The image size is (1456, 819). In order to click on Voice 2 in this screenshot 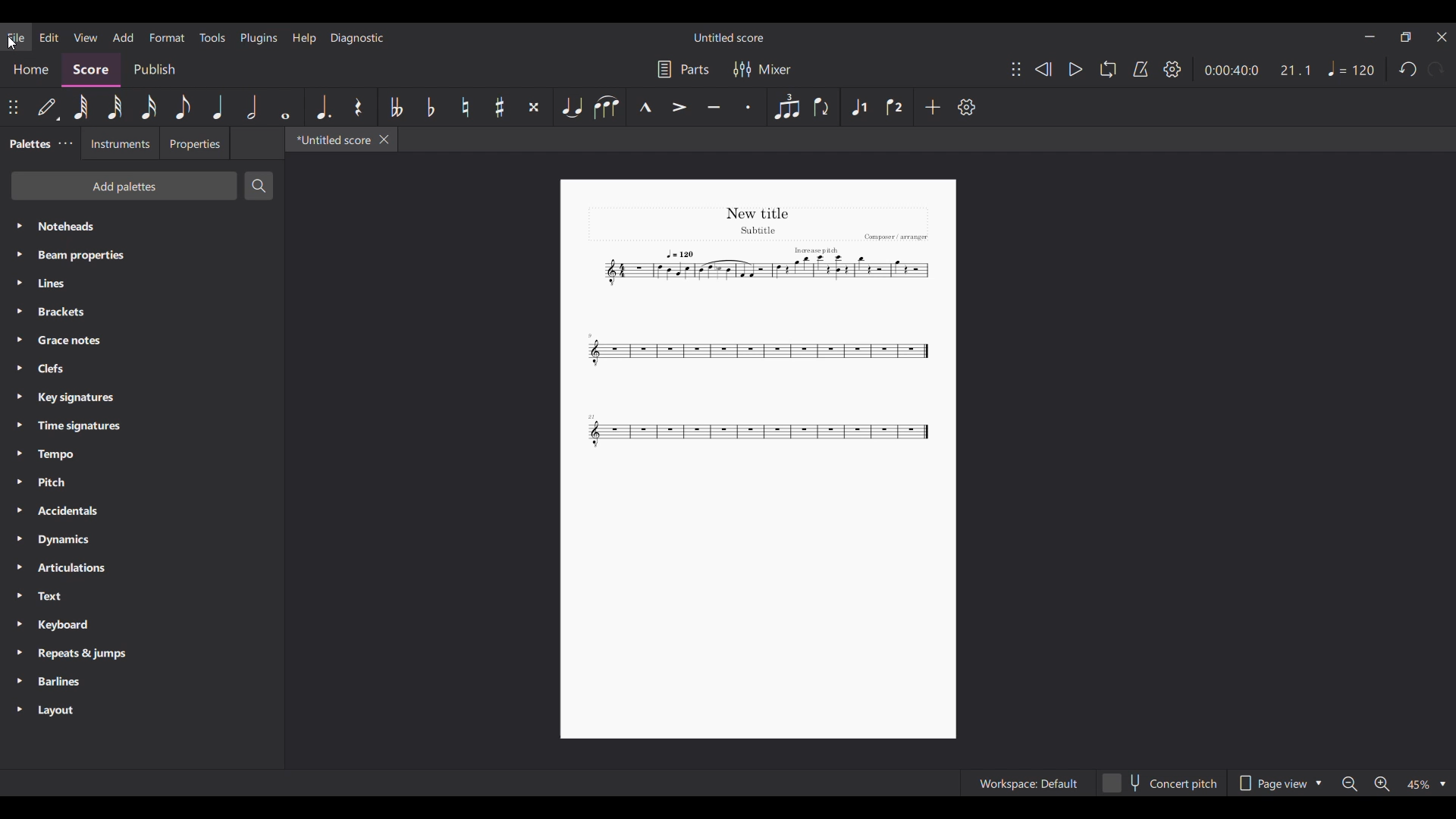, I will do `click(896, 107)`.